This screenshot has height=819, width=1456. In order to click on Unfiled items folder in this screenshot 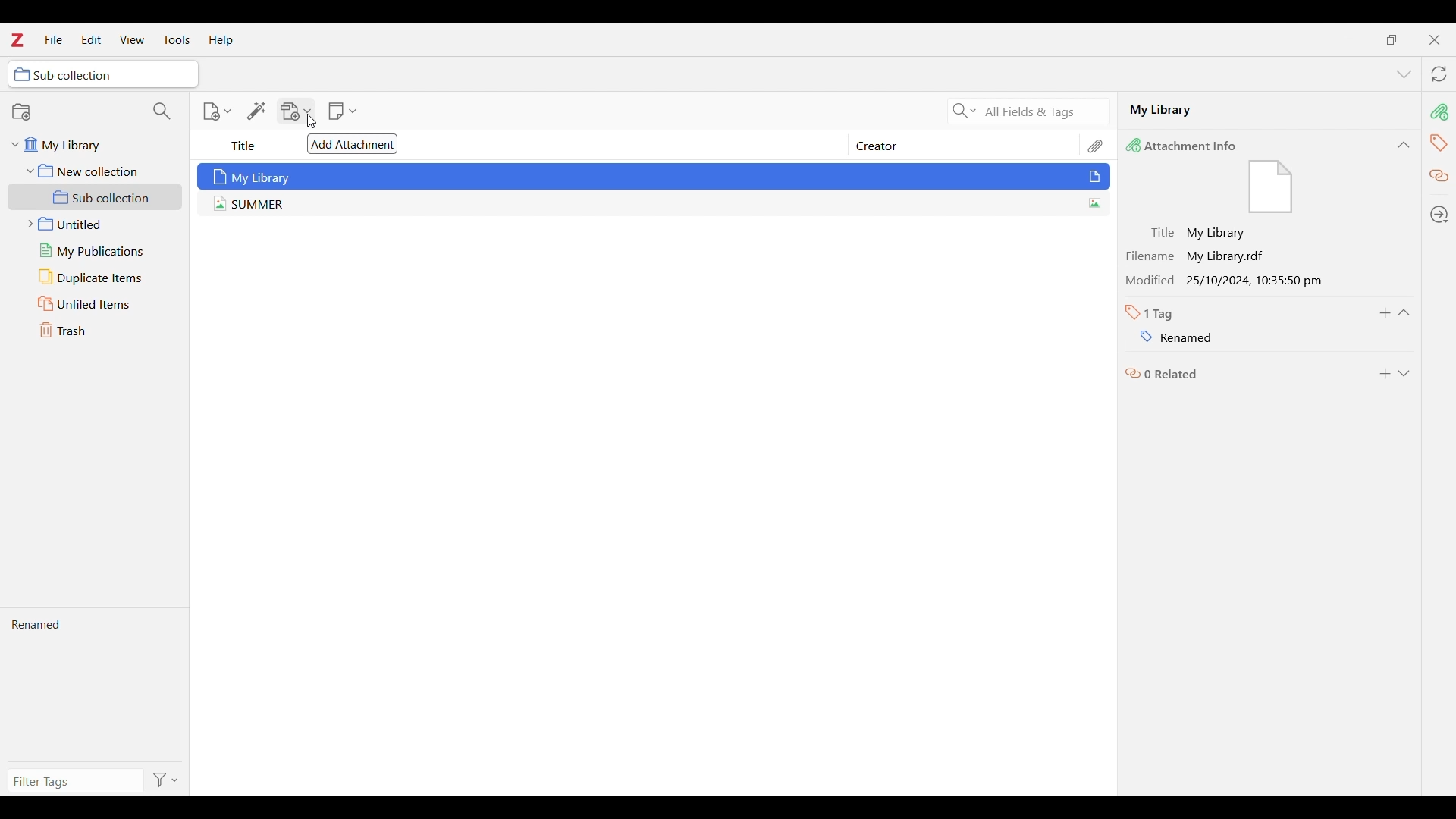, I will do `click(99, 304)`.